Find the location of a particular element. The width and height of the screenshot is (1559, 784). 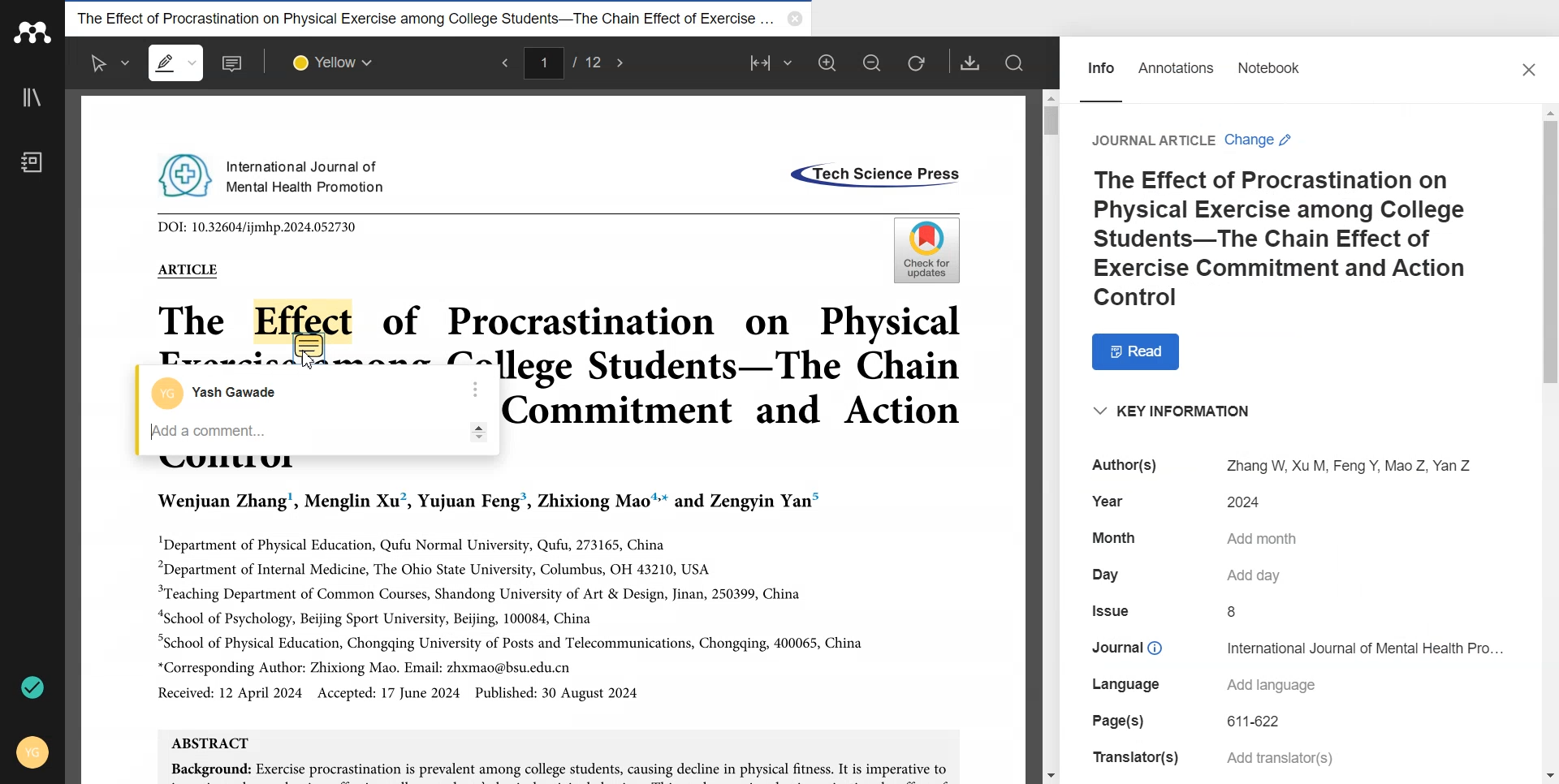

Vertical Scroll bar is located at coordinates (1051, 435).